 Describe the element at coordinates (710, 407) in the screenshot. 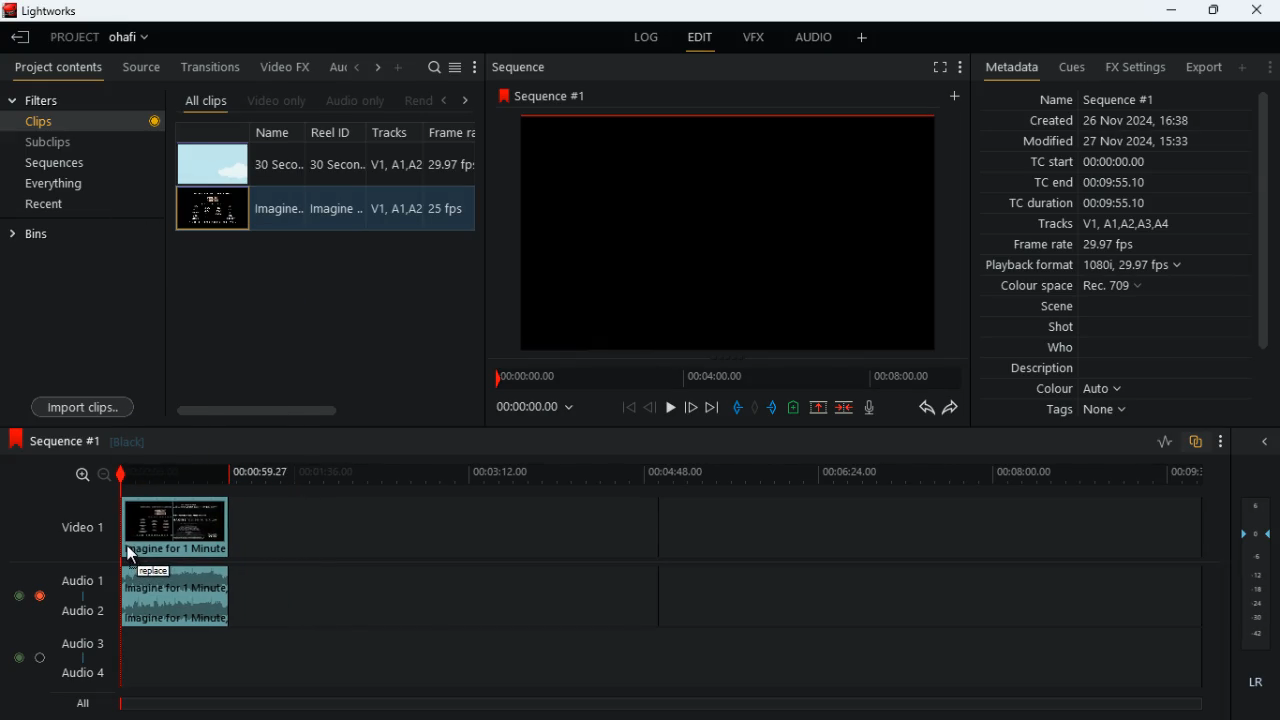

I see `end` at that location.